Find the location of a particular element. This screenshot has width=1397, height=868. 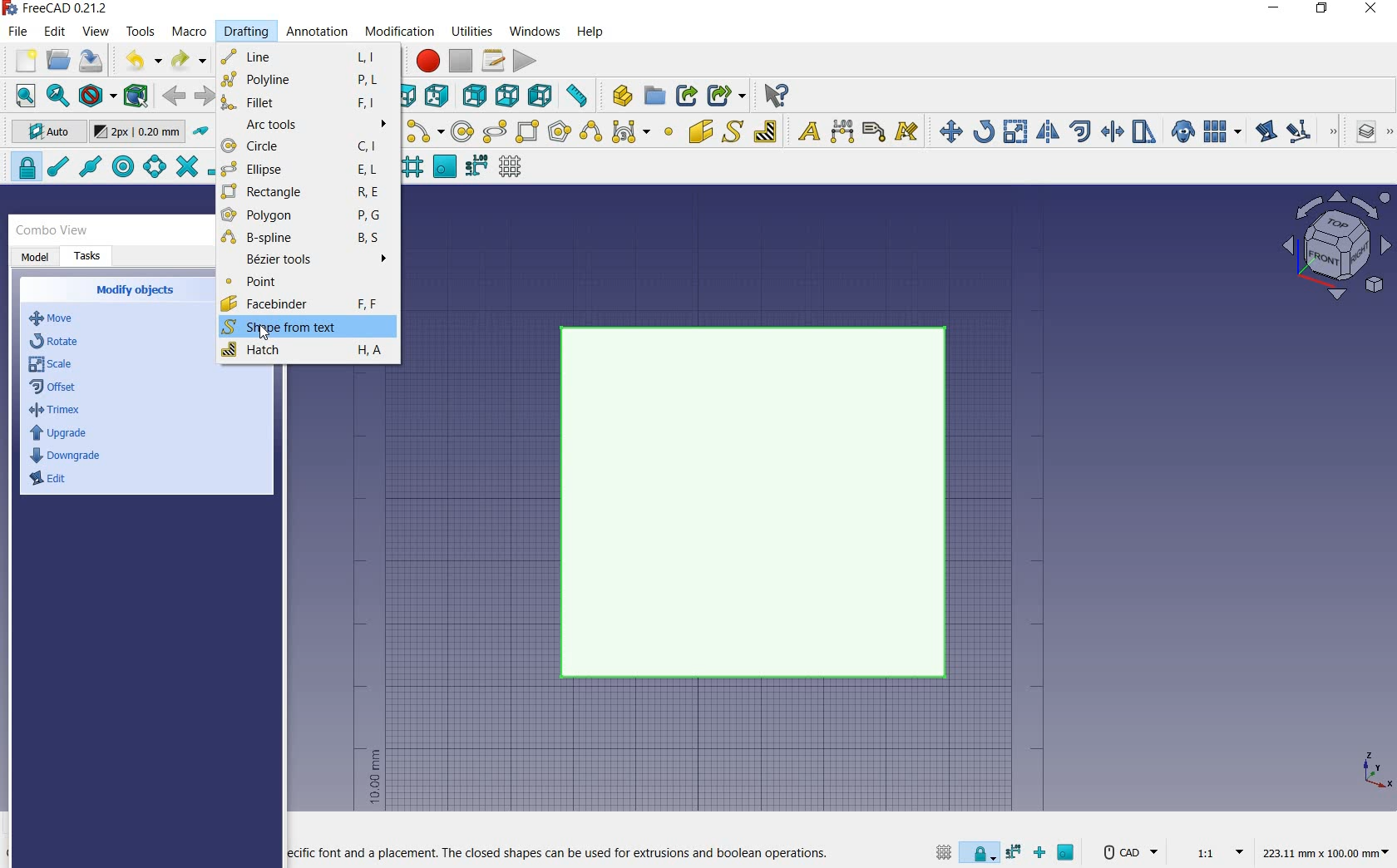

mirror is located at coordinates (1046, 133).